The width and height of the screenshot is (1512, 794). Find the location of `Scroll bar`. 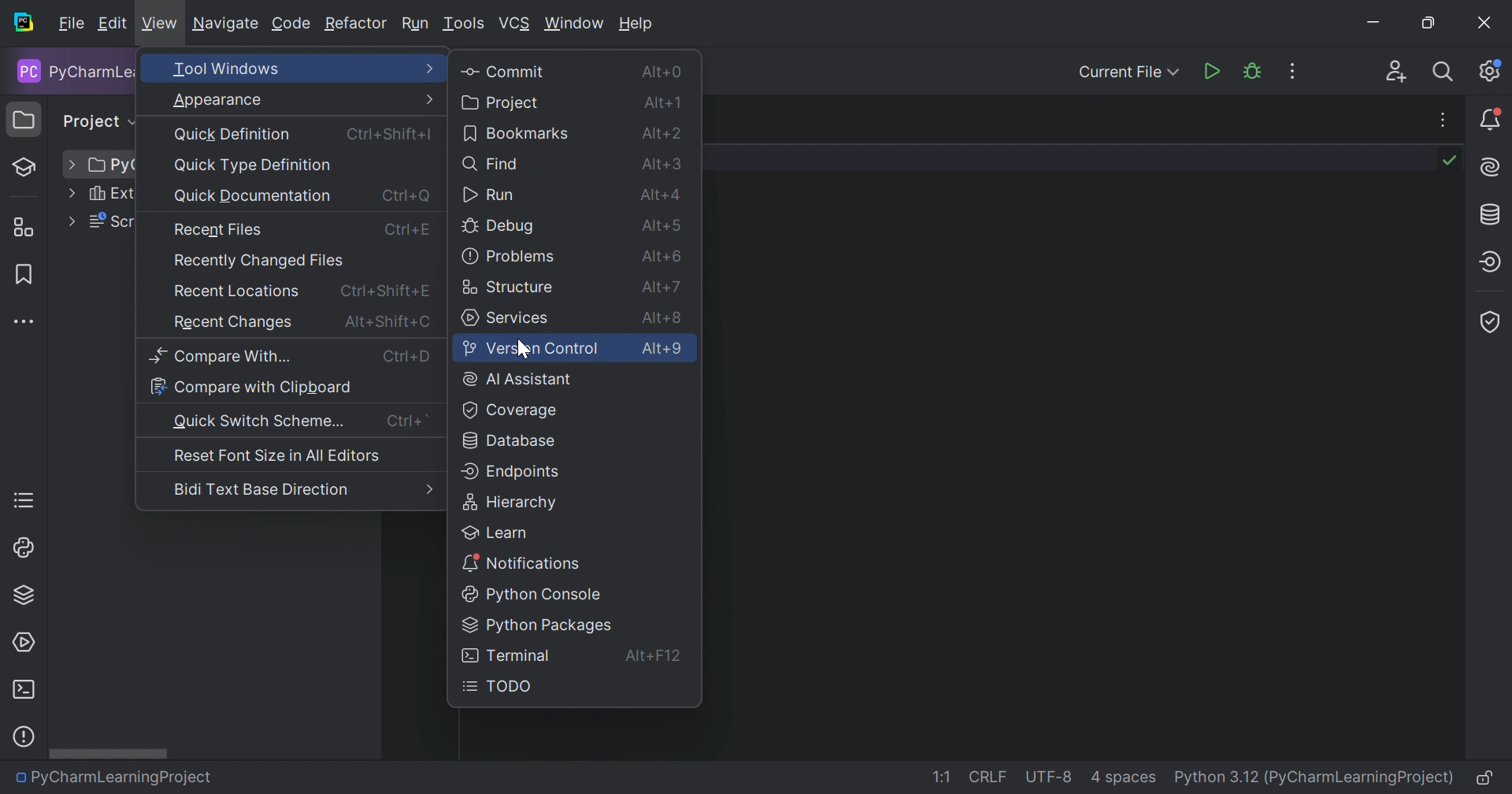

Scroll bar is located at coordinates (112, 754).